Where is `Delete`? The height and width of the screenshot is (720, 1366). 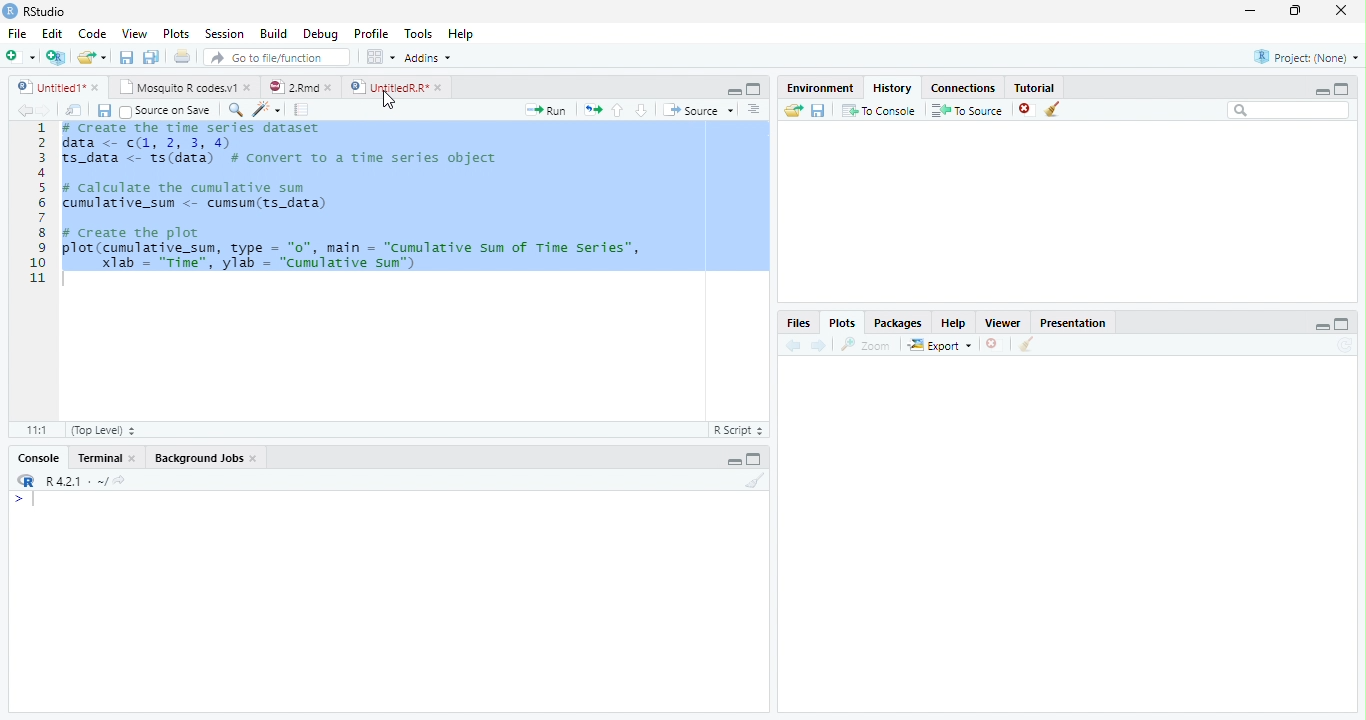 Delete is located at coordinates (1023, 108).